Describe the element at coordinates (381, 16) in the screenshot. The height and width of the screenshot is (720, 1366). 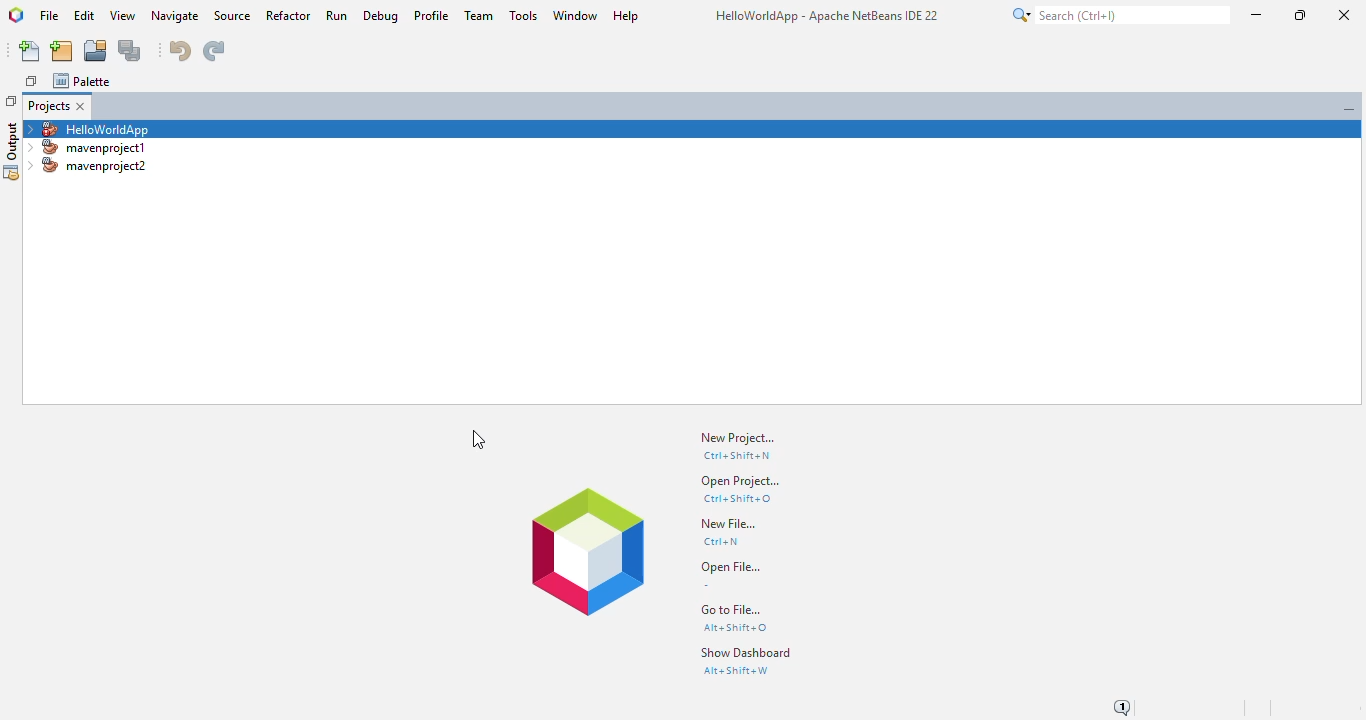
I see `debug` at that location.